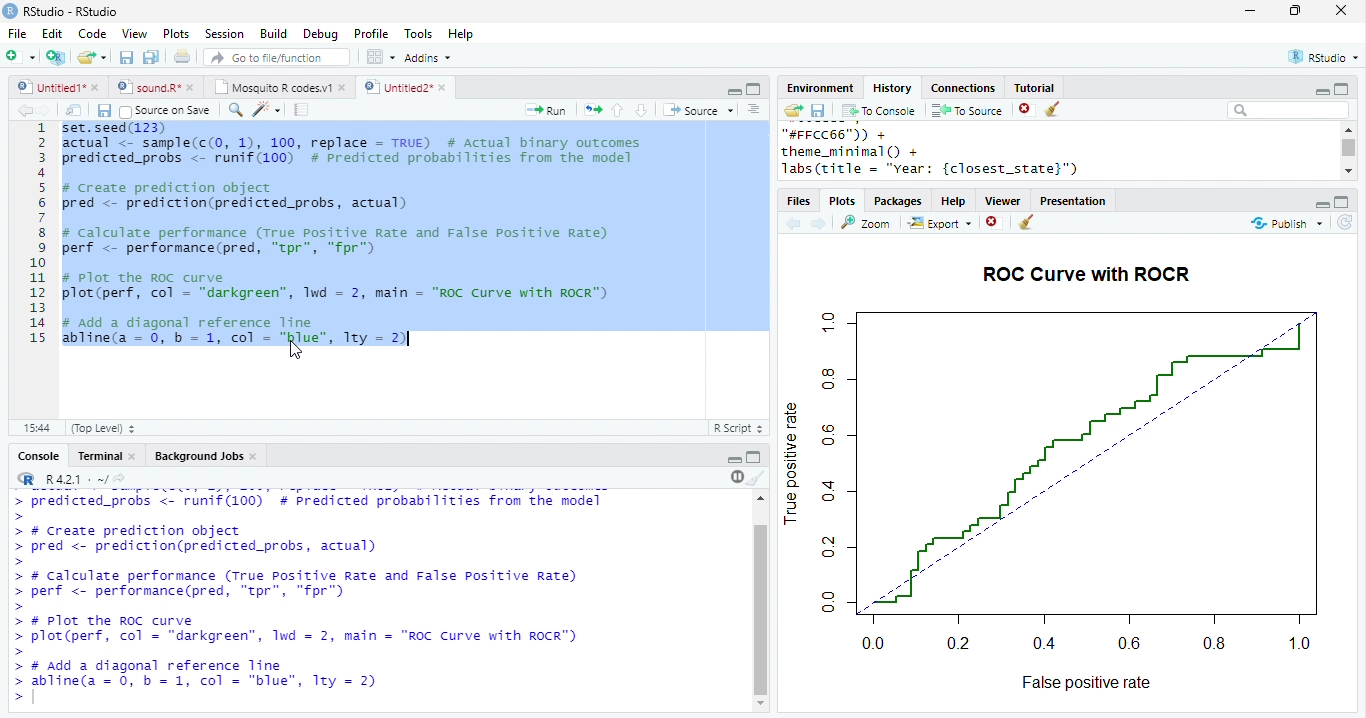 The width and height of the screenshot is (1366, 718). I want to click on Background Jobs, so click(198, 456).